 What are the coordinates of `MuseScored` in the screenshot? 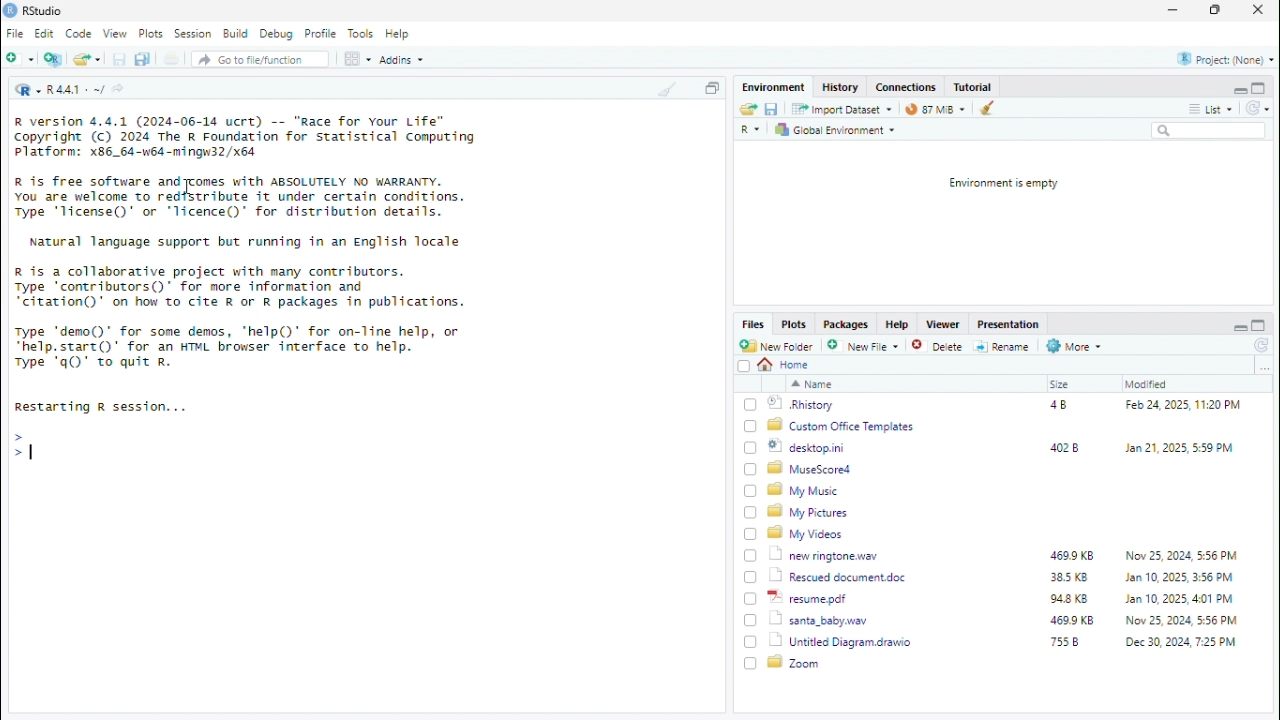 It's located at (810, 469).